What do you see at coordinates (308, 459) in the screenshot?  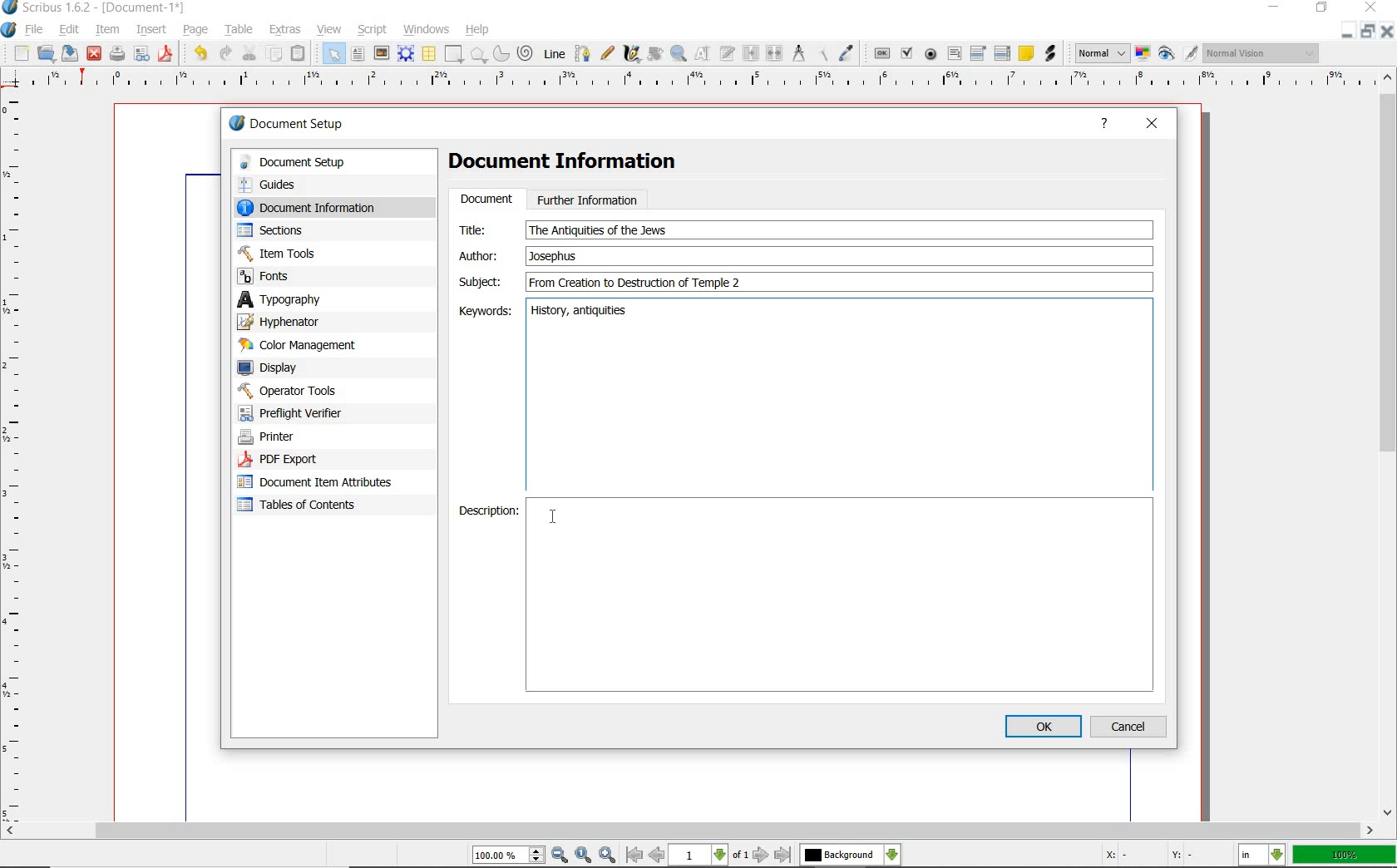 I see `PDF Export` at bounding box center [308, 459].